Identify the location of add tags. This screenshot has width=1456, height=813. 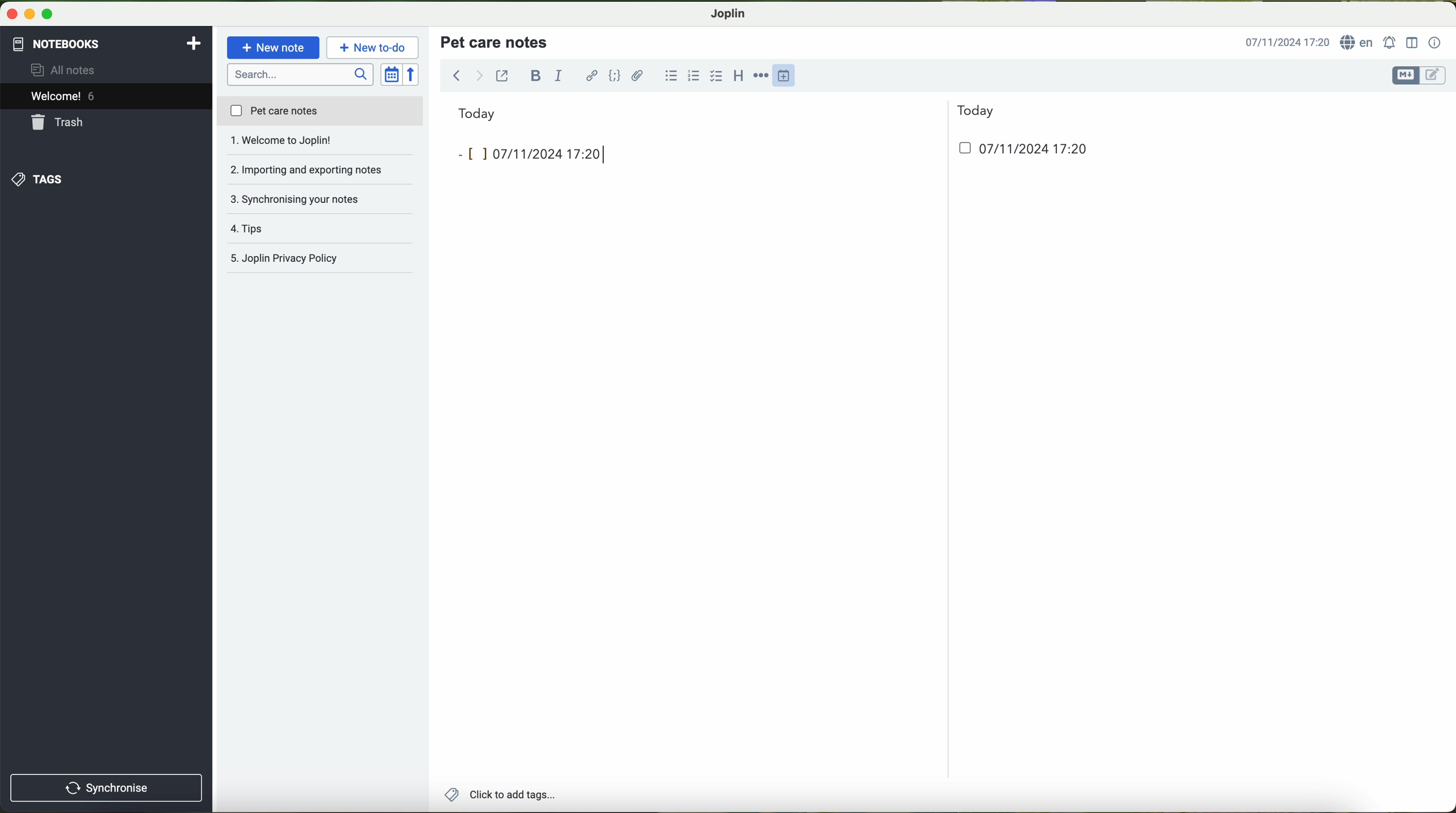
(500, 796).